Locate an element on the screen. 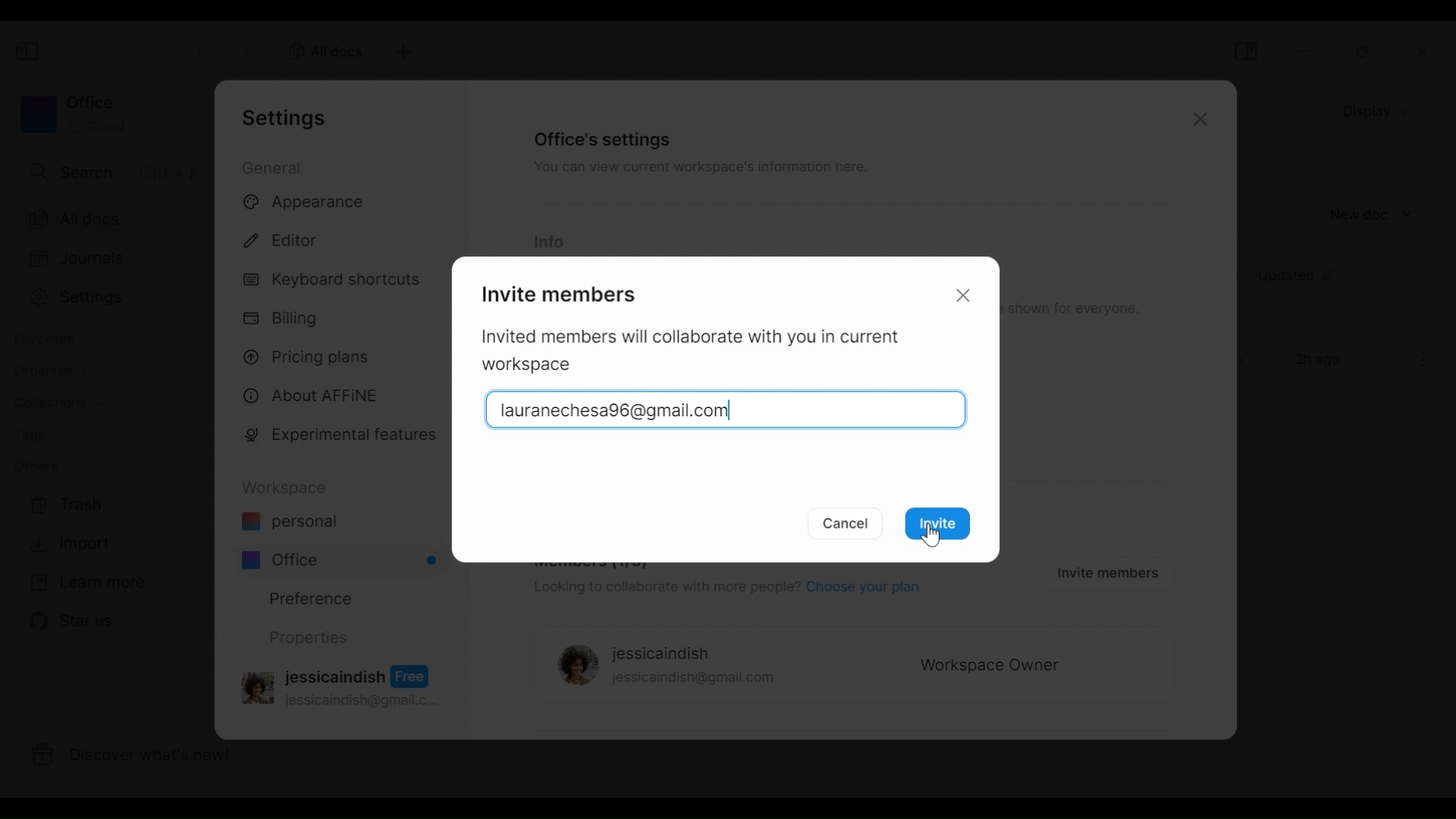 The width and height of the screenshot is (1456, 819). Experimental features is located at coordinates (344, 438).